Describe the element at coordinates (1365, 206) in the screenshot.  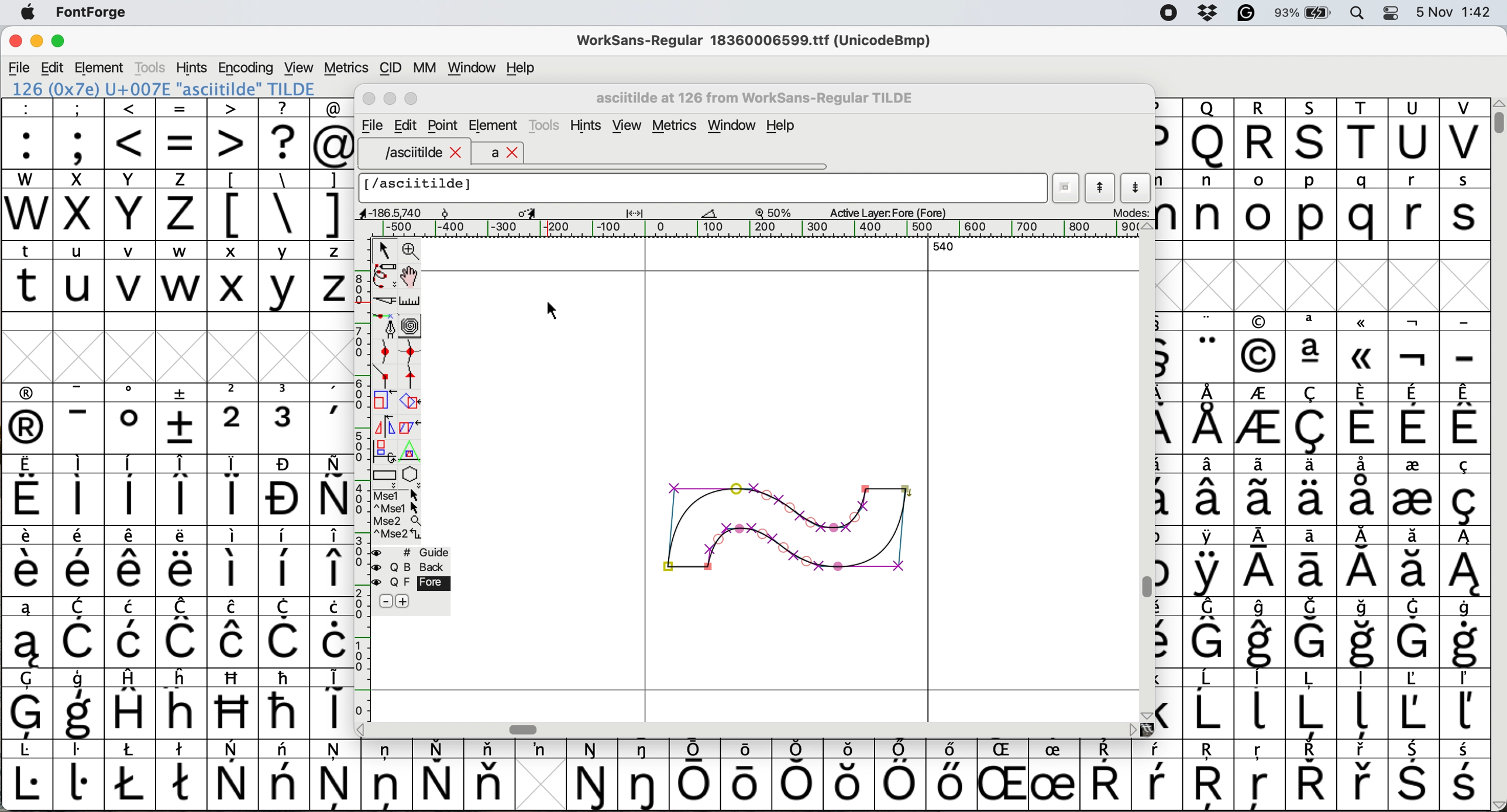
I see `q` at that location.